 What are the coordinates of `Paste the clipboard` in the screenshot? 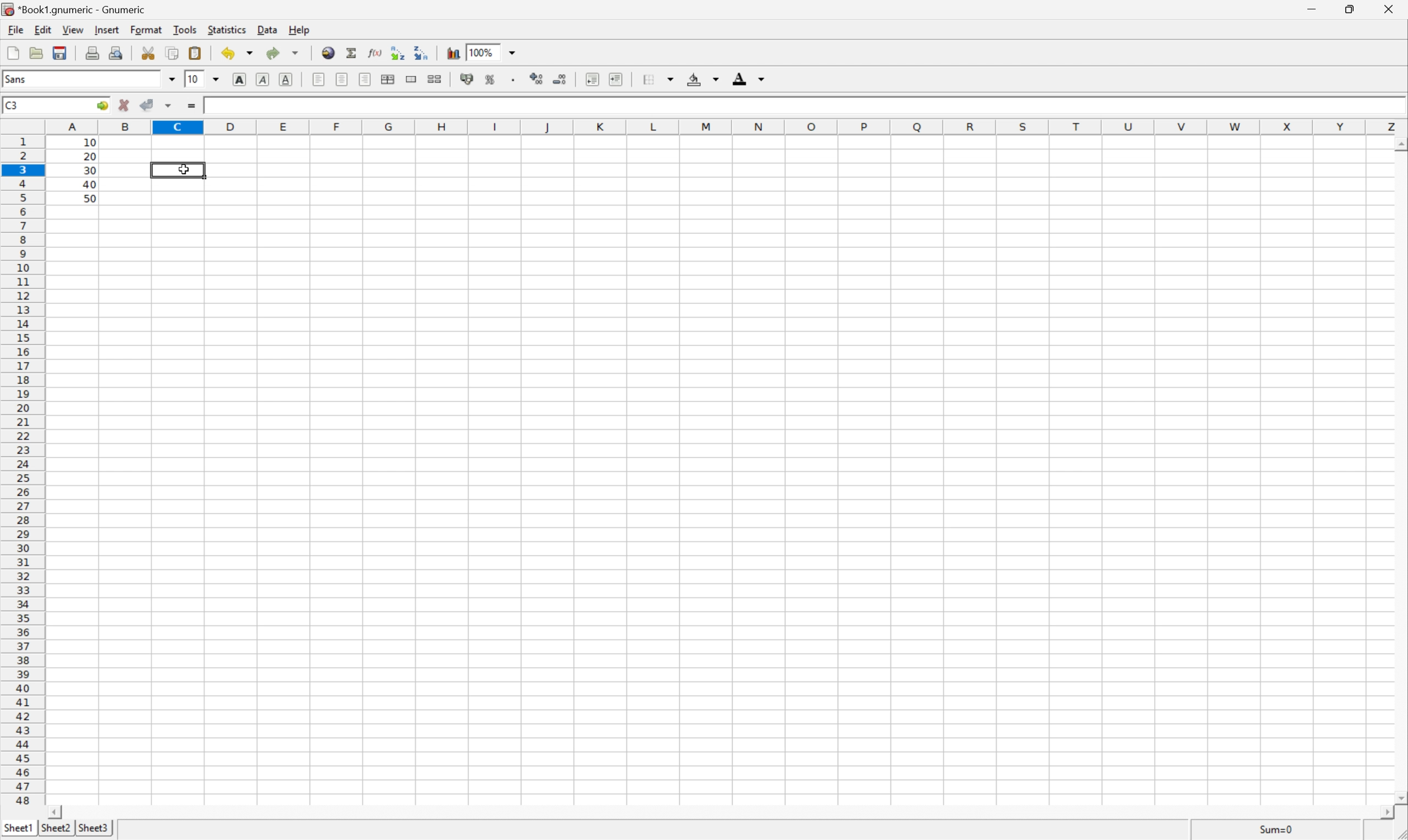 It's located at (195, 53).